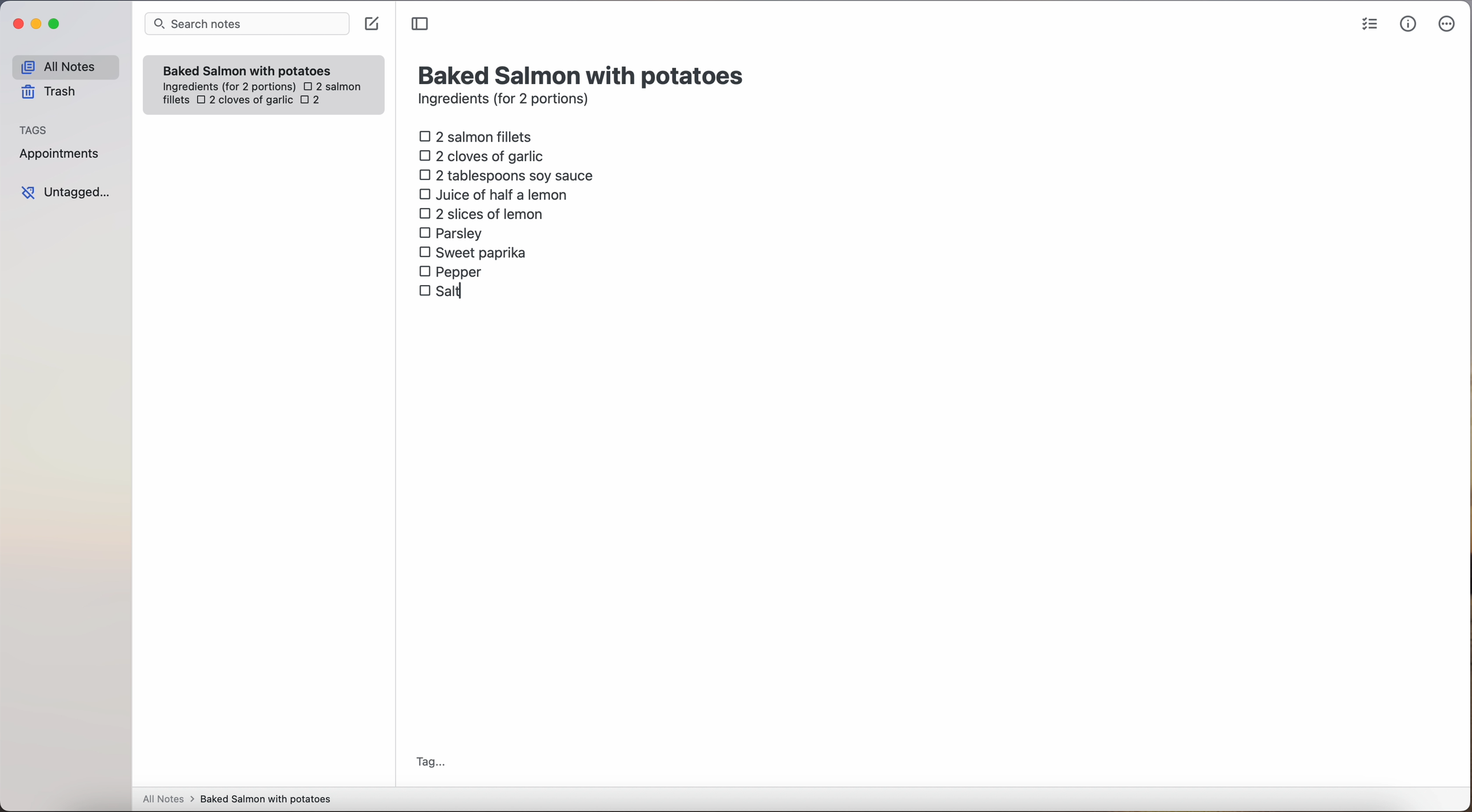 The image size is (1472, 812). I want to click on close Simplenote, so click(17, 25).